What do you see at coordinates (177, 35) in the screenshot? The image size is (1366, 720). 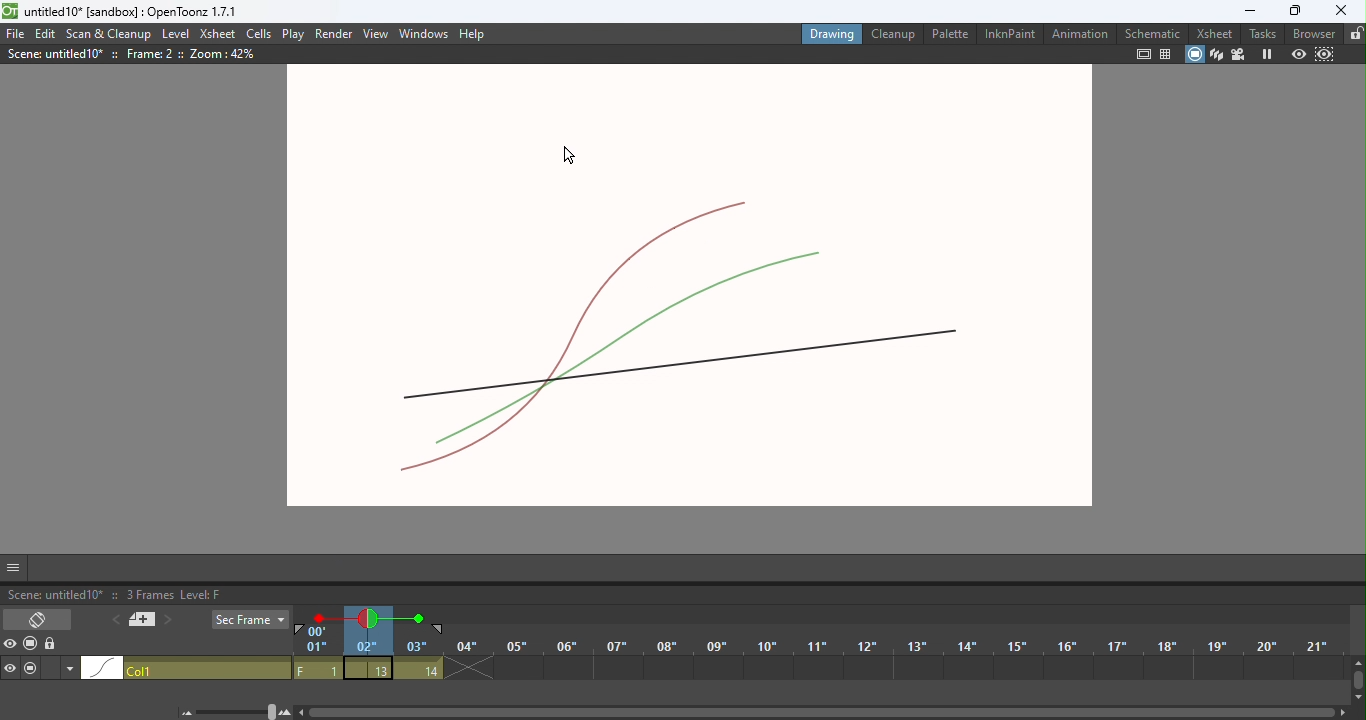 I see `Level` at bounding box center [177, 35].